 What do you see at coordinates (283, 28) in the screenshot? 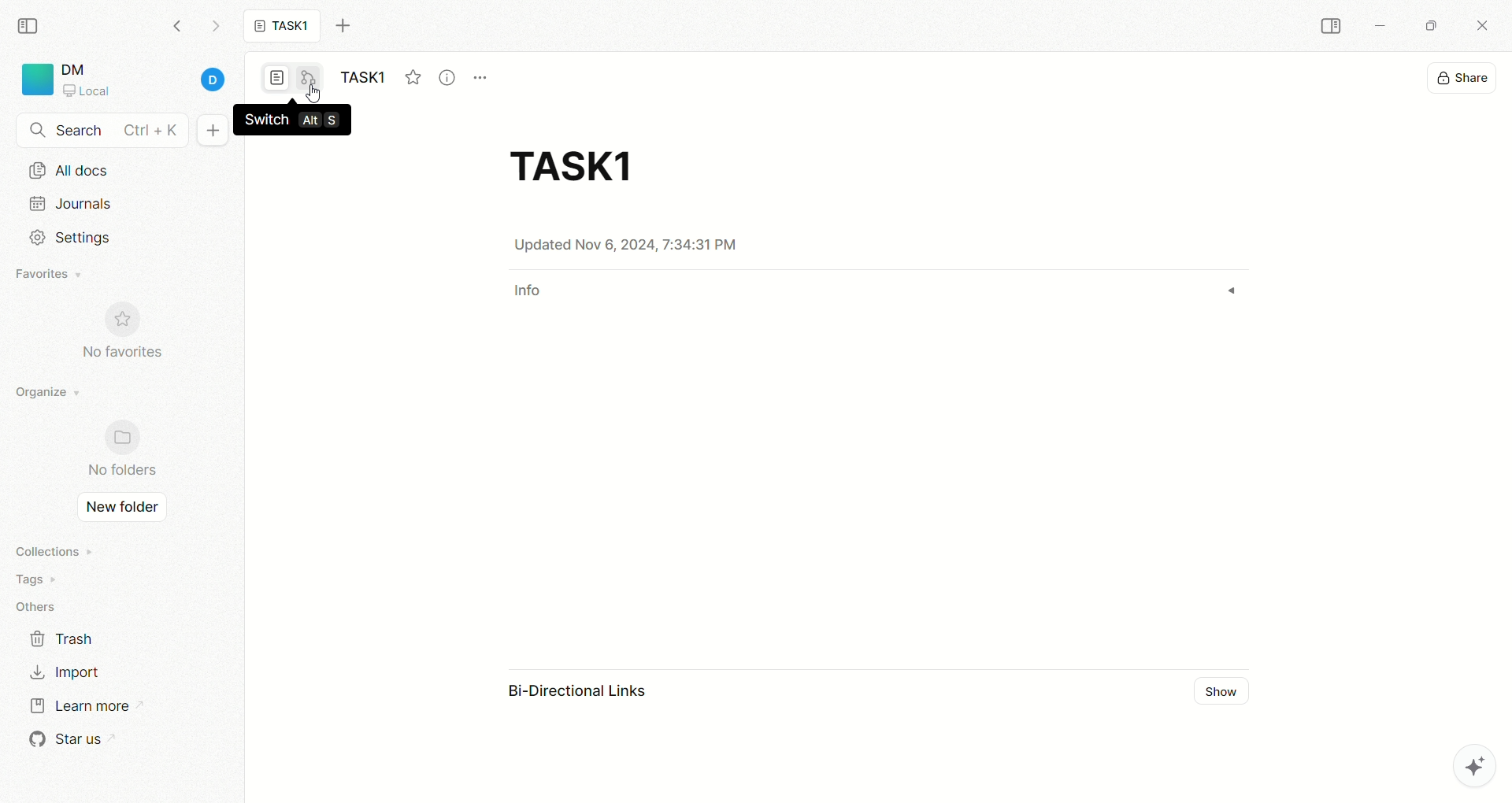
I see `task1` at bounding box center [283, 28].